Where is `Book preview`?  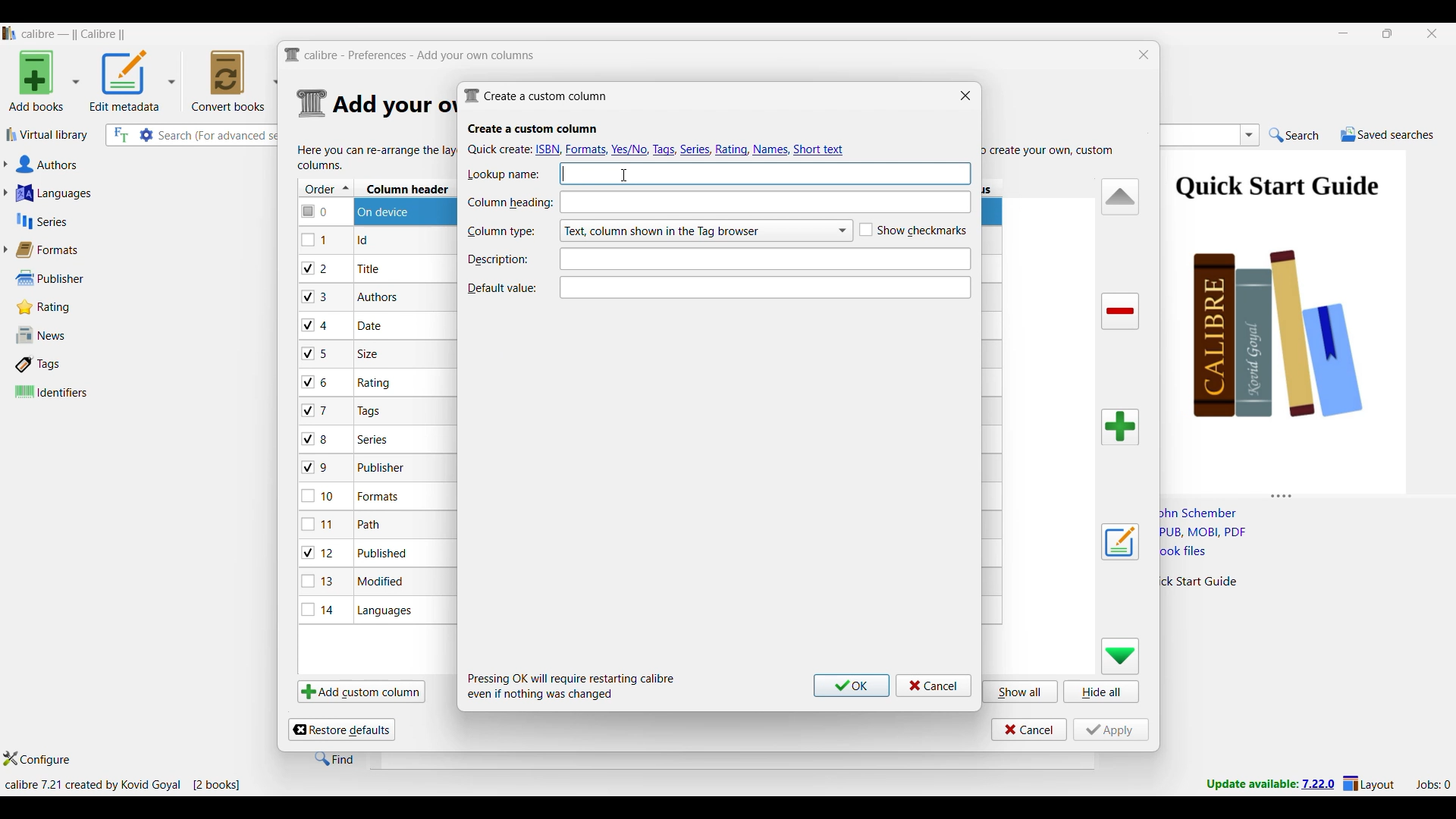
Book preview is located at coordinates (1303, 316).